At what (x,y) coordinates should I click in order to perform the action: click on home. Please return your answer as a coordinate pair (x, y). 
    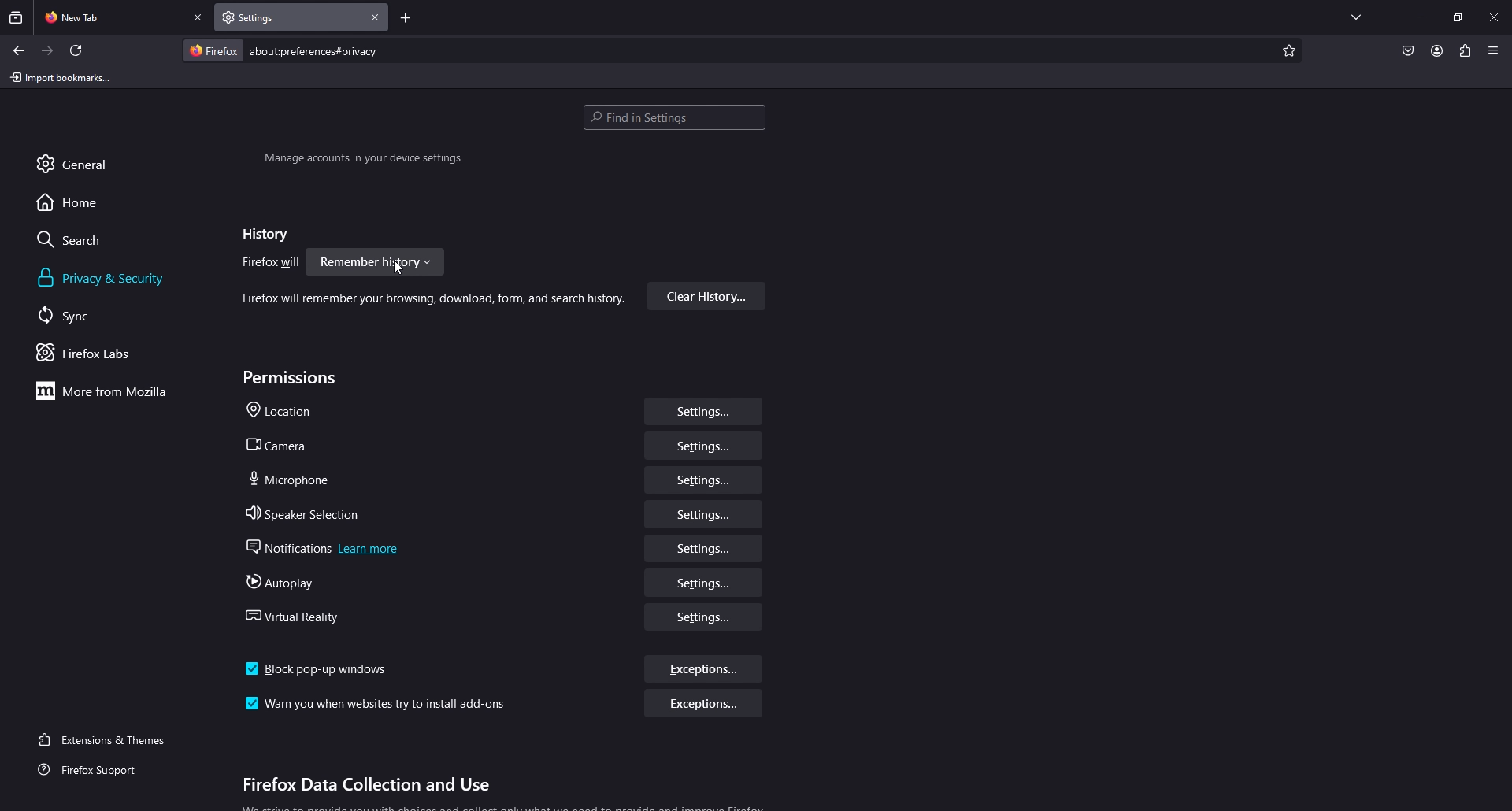
    Looking at the image, I should click on (81, 202).